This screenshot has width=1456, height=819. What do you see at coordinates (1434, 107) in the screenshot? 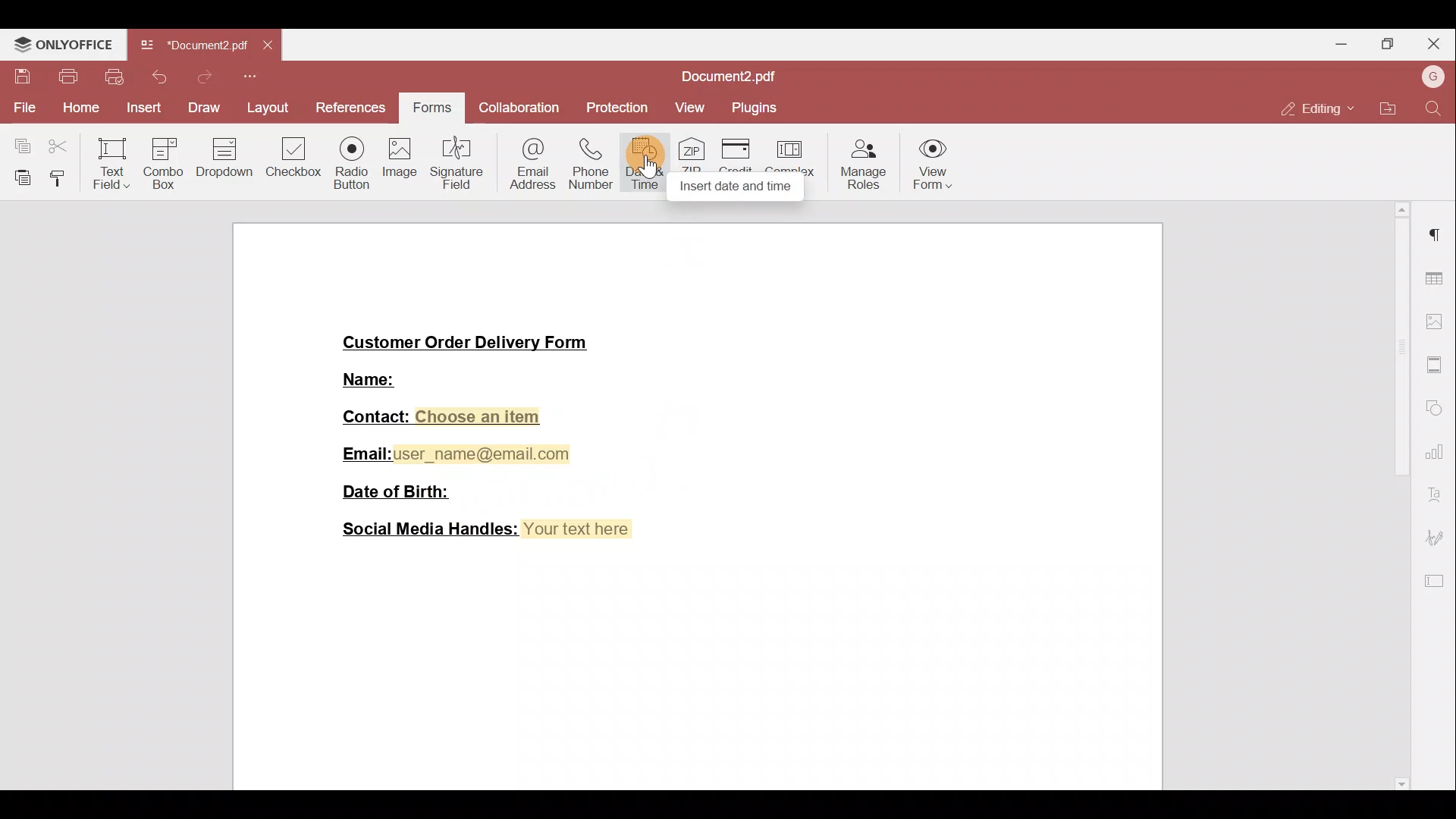
I see `Find` at bounding box center [1434, 107].